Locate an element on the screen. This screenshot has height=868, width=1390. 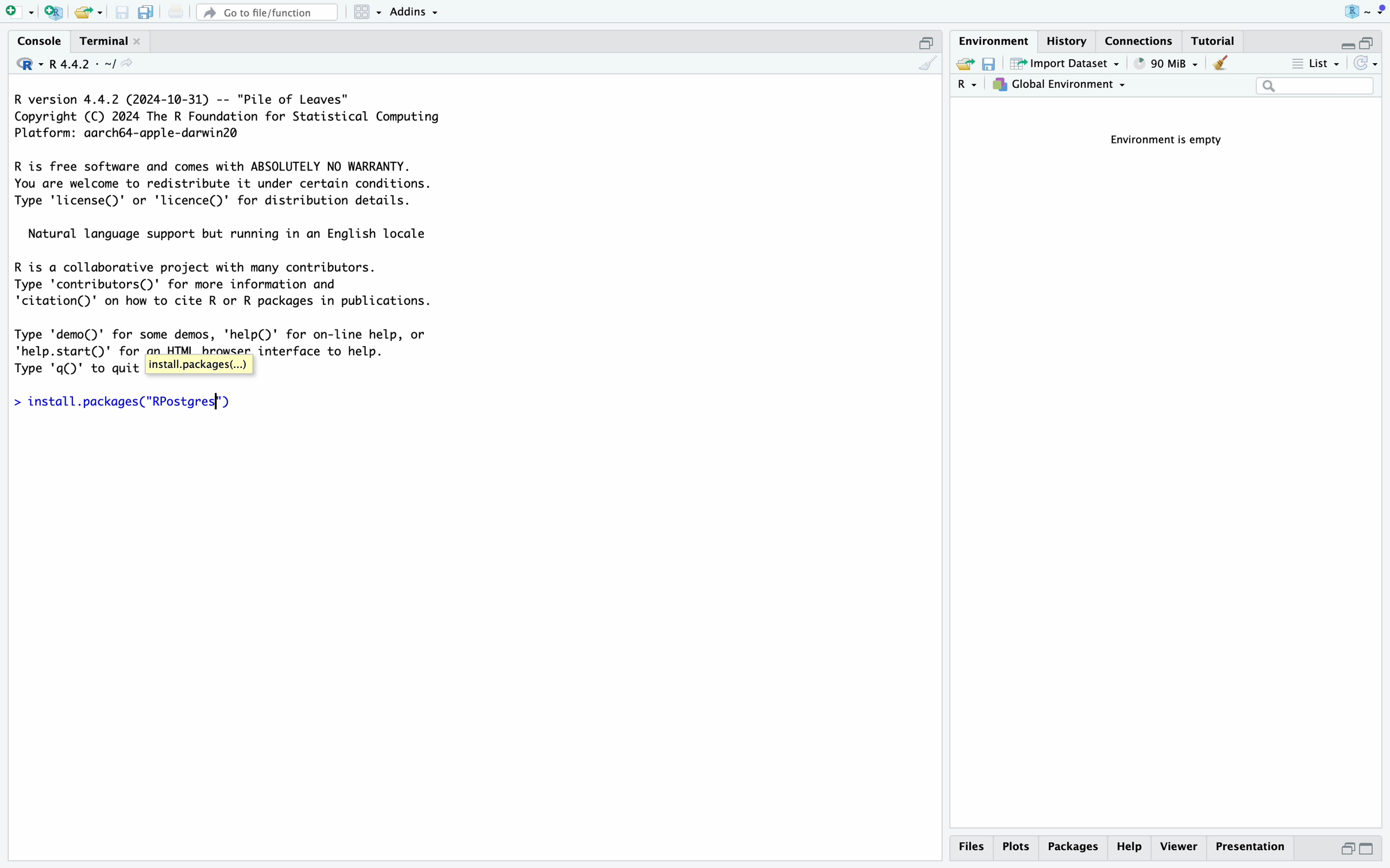
description of contributors is located at coordinates (226, 281).